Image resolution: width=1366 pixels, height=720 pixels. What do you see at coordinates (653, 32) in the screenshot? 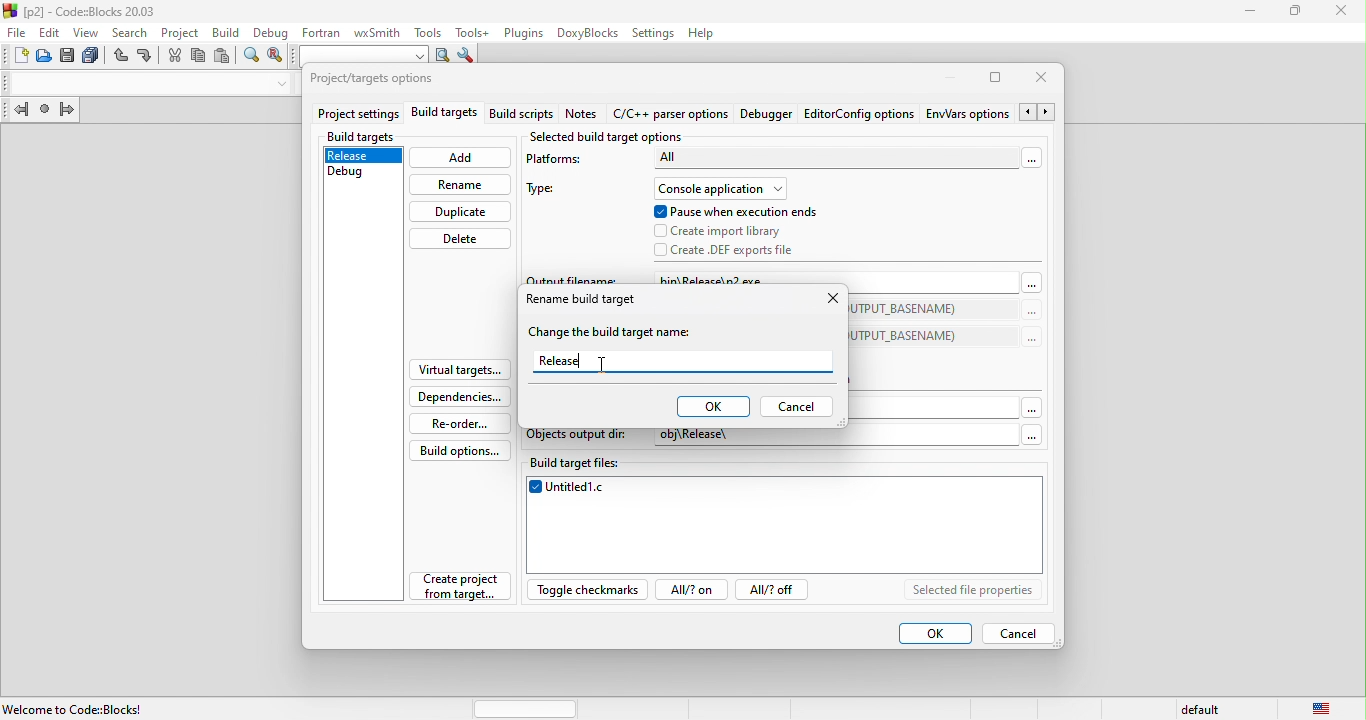
I see `settings` at bounding box center [653, 32].